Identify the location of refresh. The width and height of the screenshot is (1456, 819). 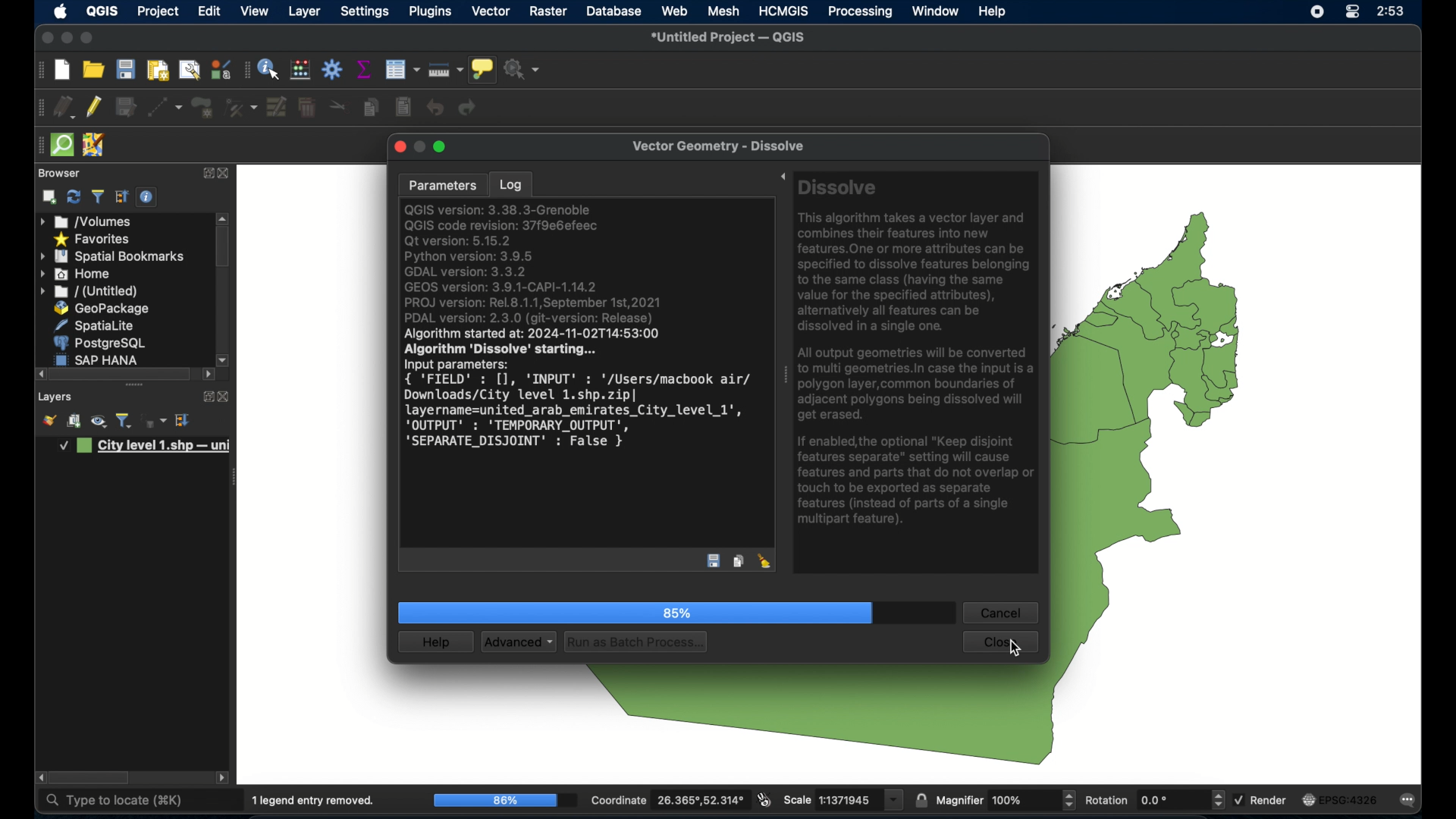
(73, 197).